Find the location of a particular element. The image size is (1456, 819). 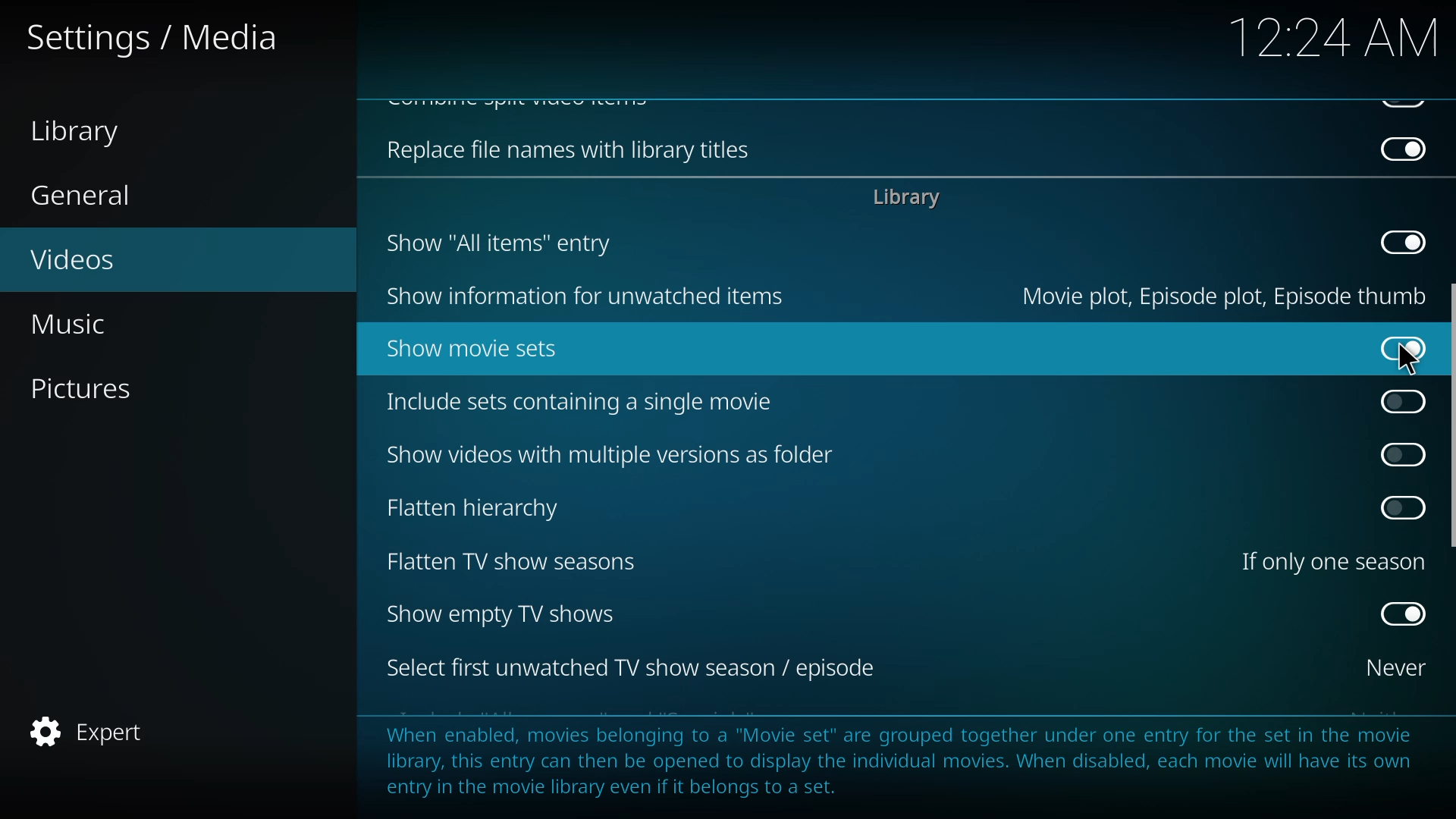

time is located at coordinates (1332, 36).